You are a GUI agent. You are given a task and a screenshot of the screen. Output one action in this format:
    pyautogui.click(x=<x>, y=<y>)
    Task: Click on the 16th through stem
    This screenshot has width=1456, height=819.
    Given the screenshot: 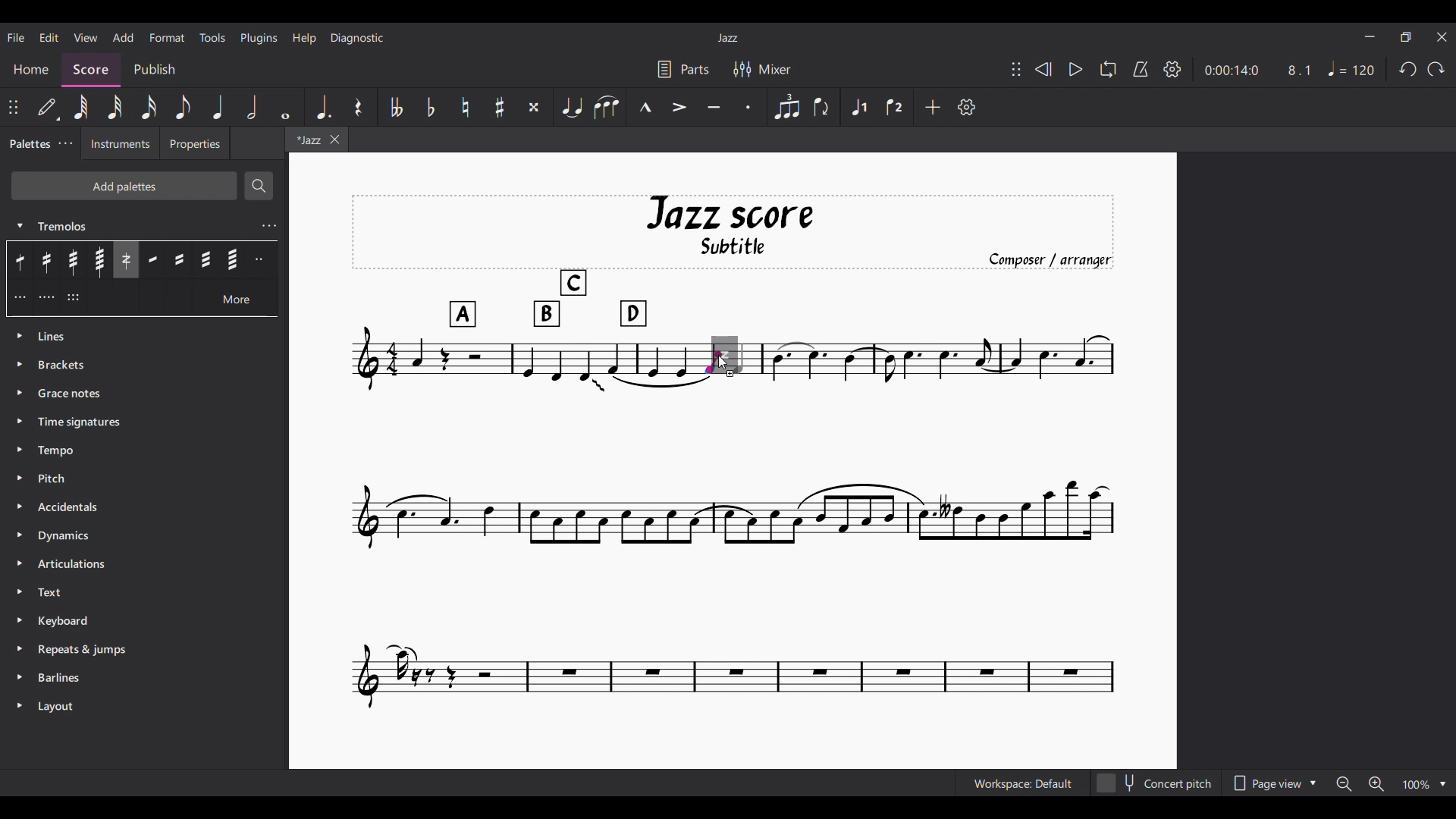 What is the action you would take?
    pyautogui.click(x=48, y=260)
    